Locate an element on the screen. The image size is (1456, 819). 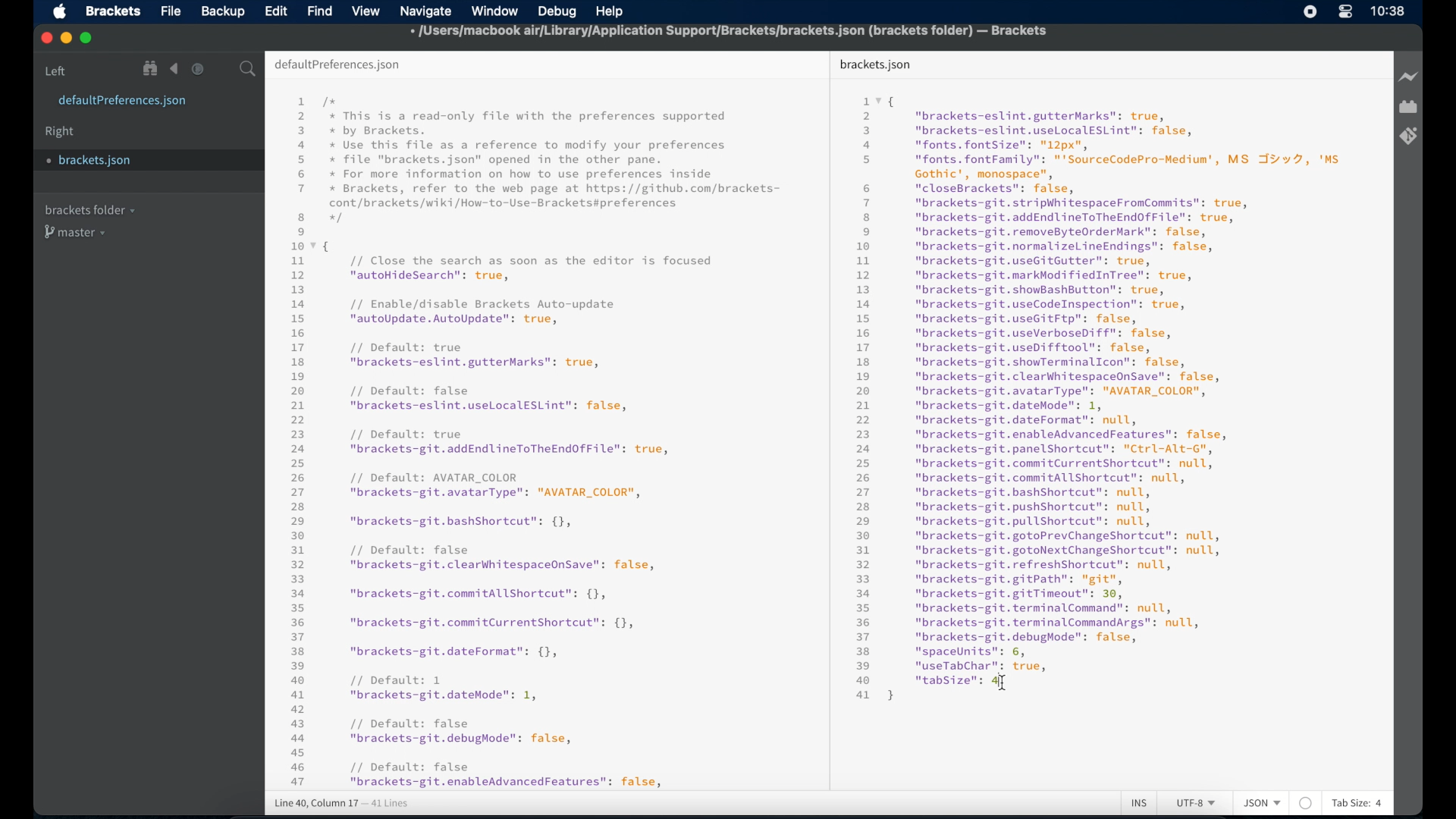
navigate forward is located at coordinates (198, 69).